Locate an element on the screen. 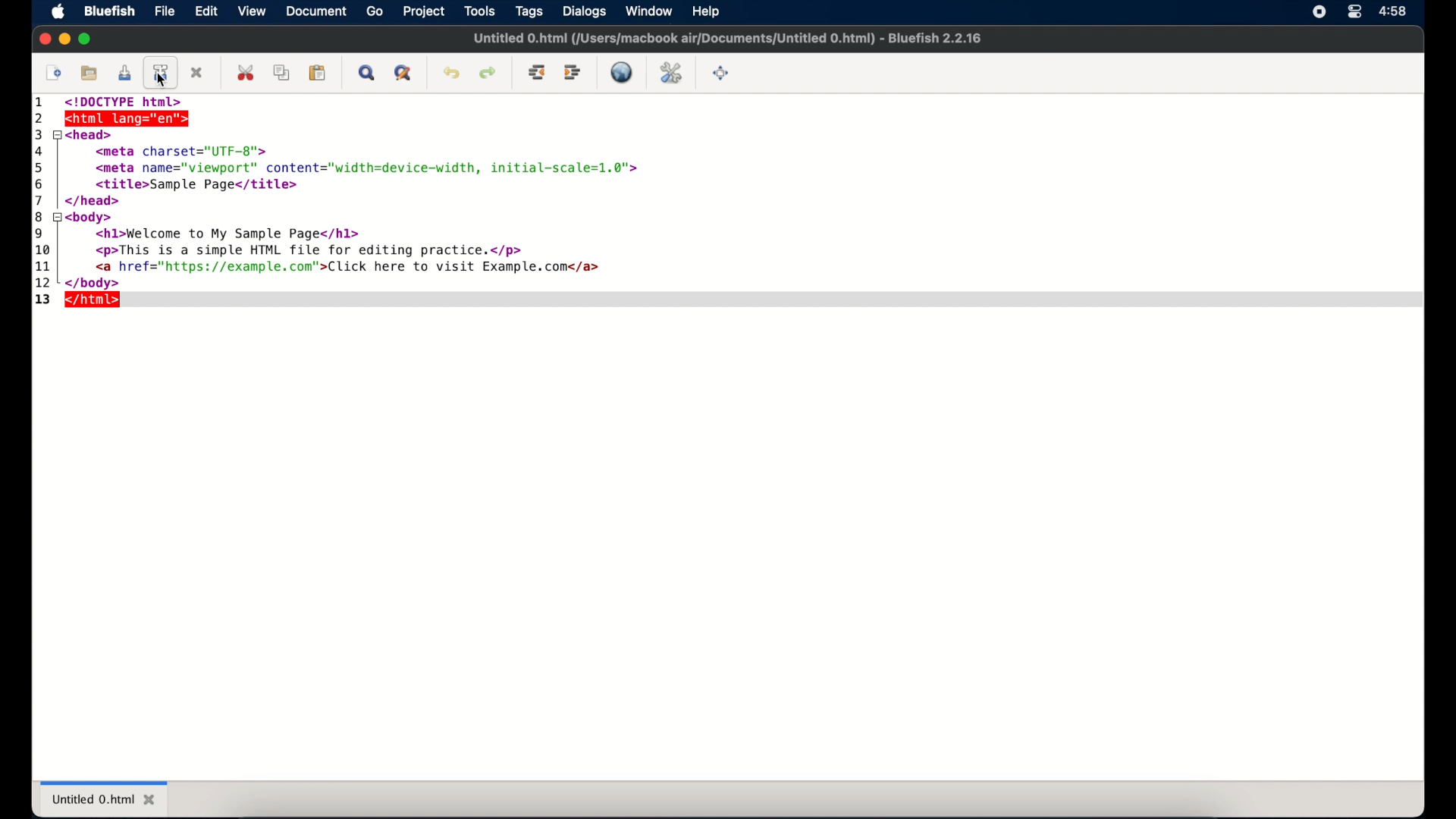  <meta charset="UTF-8"> is located at coordinates (187, 149).